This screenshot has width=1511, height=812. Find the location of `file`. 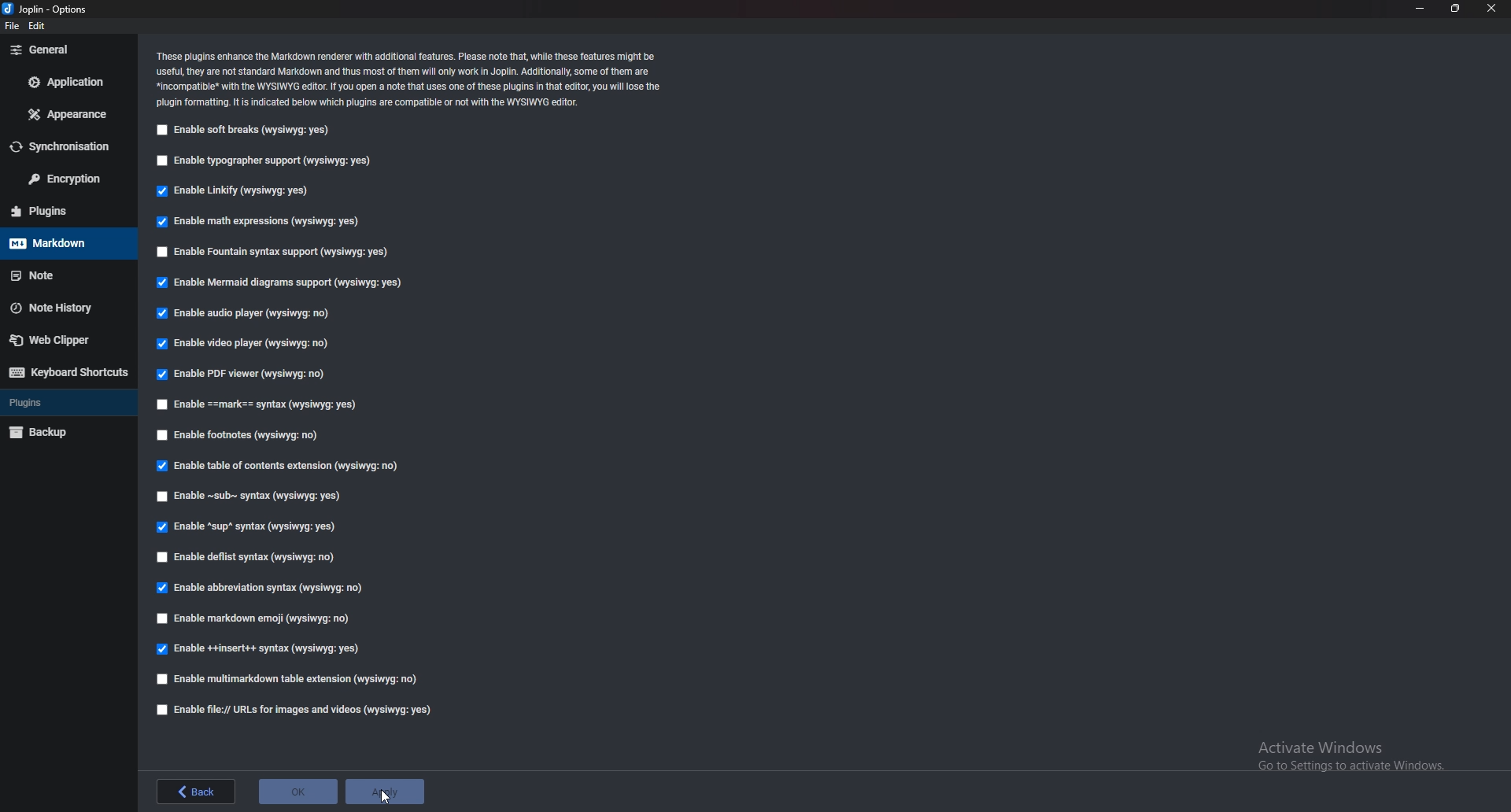

file is located at coordinates (13, 27).